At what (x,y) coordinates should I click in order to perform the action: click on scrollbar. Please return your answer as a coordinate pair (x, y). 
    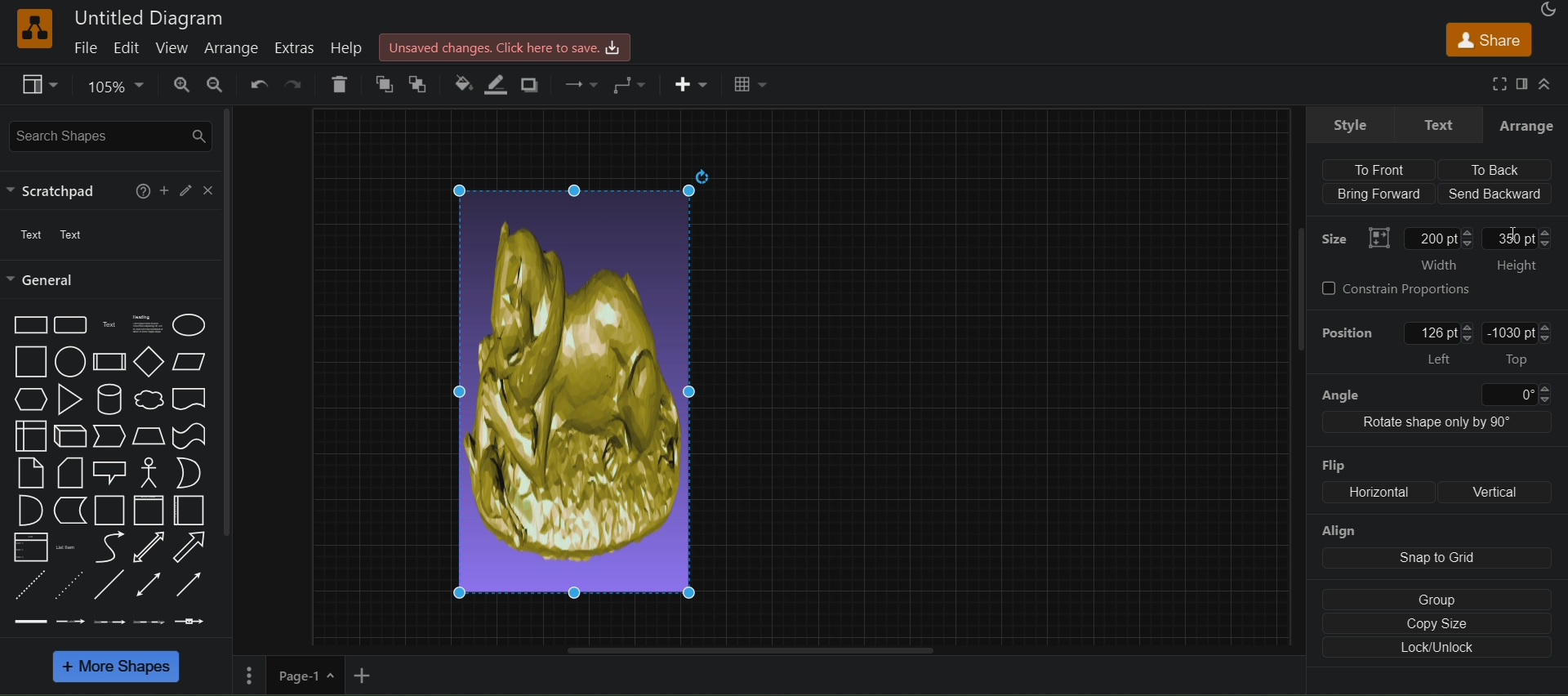
    Looking at the image, I should click on (229, 324).